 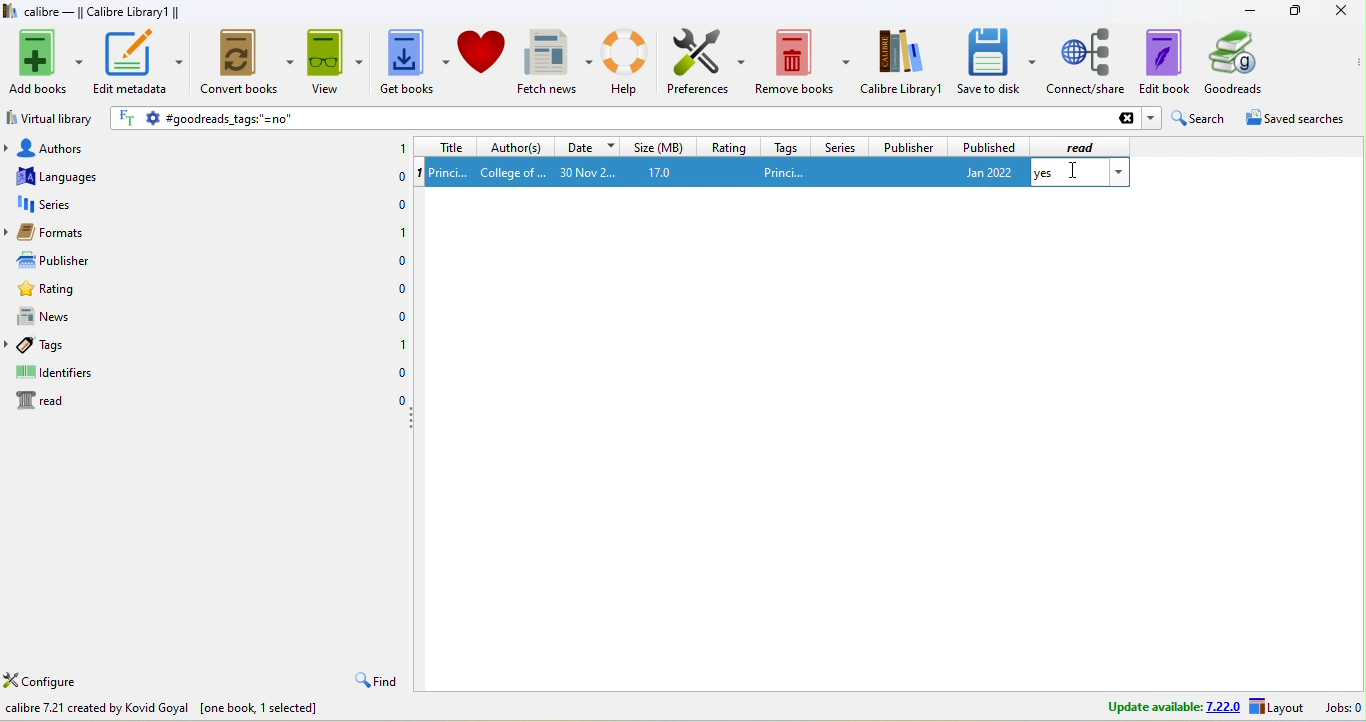 I want to click on author(s), so click(x=514, y=147).